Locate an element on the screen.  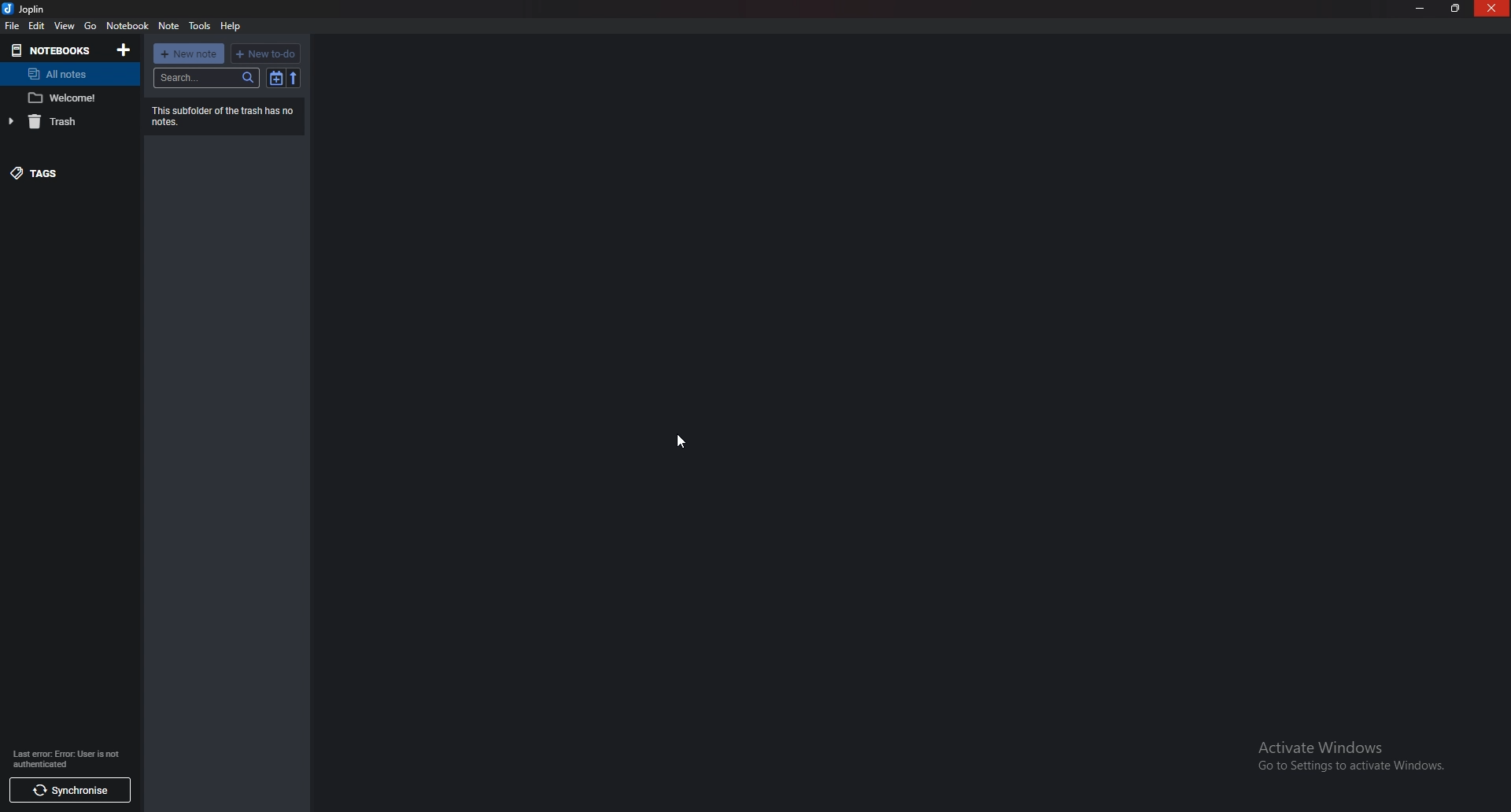
cursor is located at coordinates (677, 444).